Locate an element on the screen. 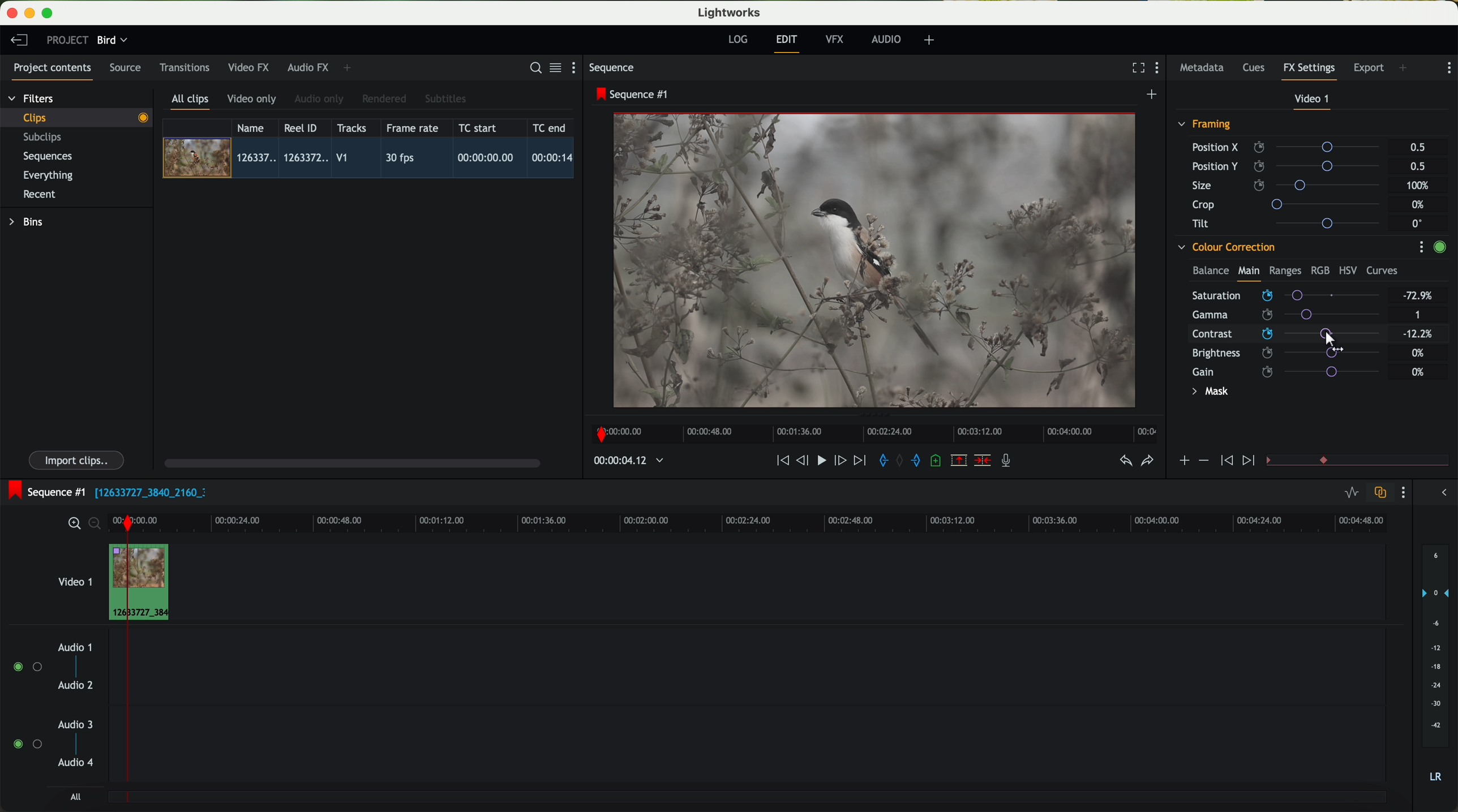  icon is located at coordinates (1225, 461).